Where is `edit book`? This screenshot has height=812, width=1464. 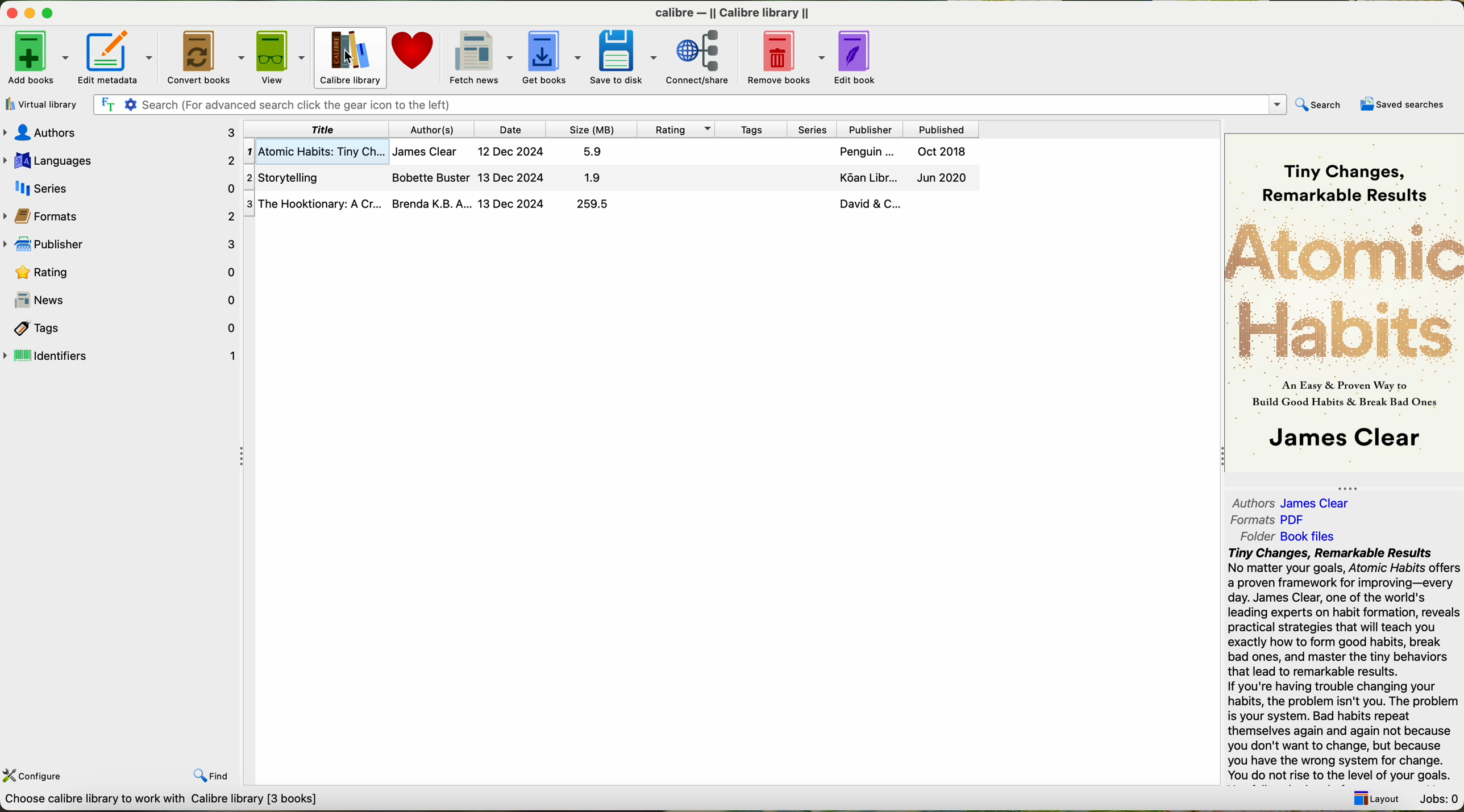 edit book is located at coordinates (860, 55).